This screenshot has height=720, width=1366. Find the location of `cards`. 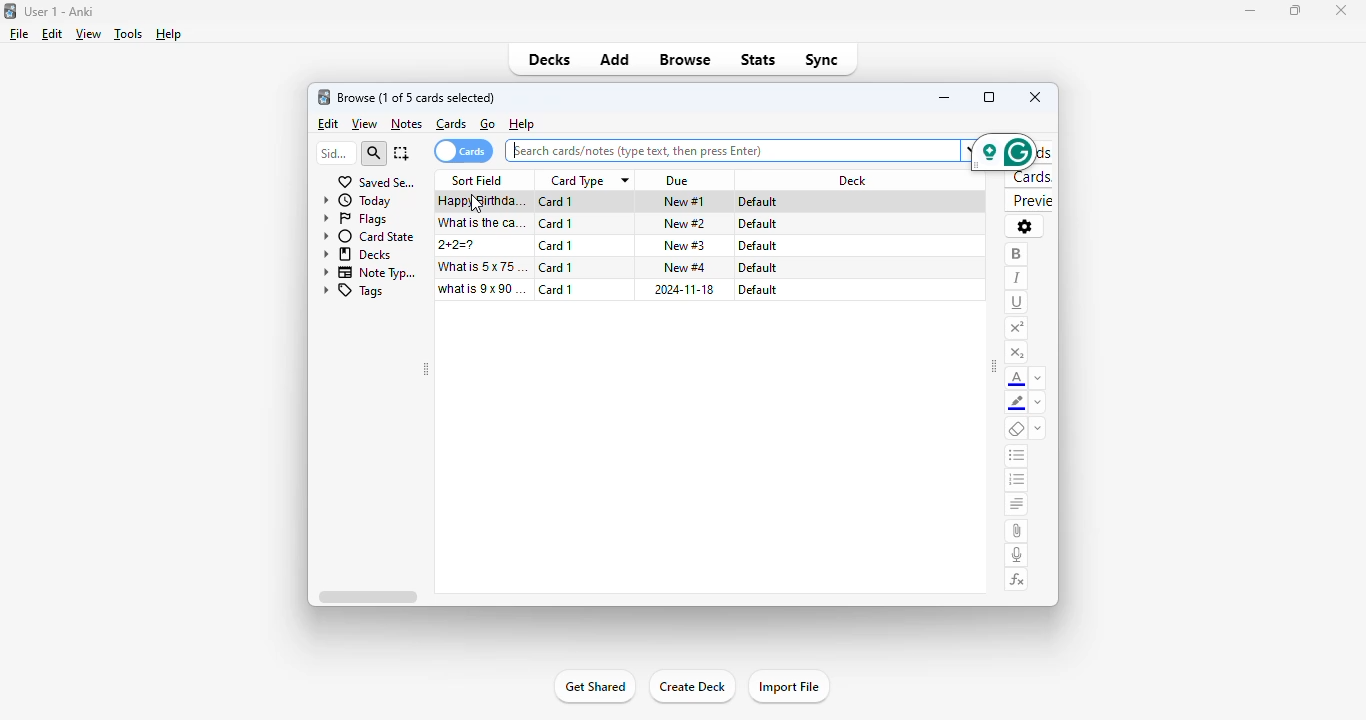

cards is located at coordinates (451, 124).